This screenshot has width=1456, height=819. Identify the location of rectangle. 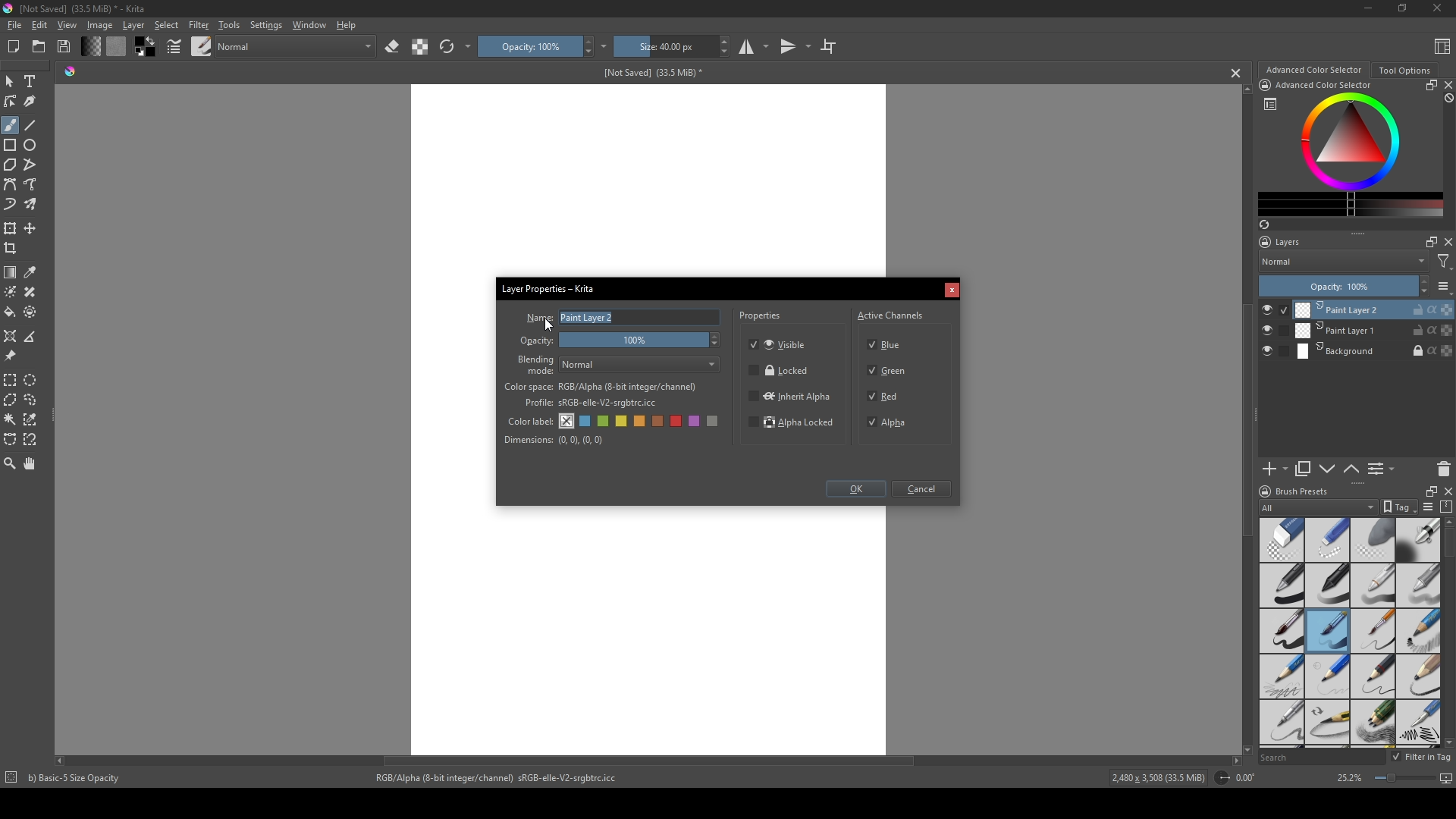
(11, 146).